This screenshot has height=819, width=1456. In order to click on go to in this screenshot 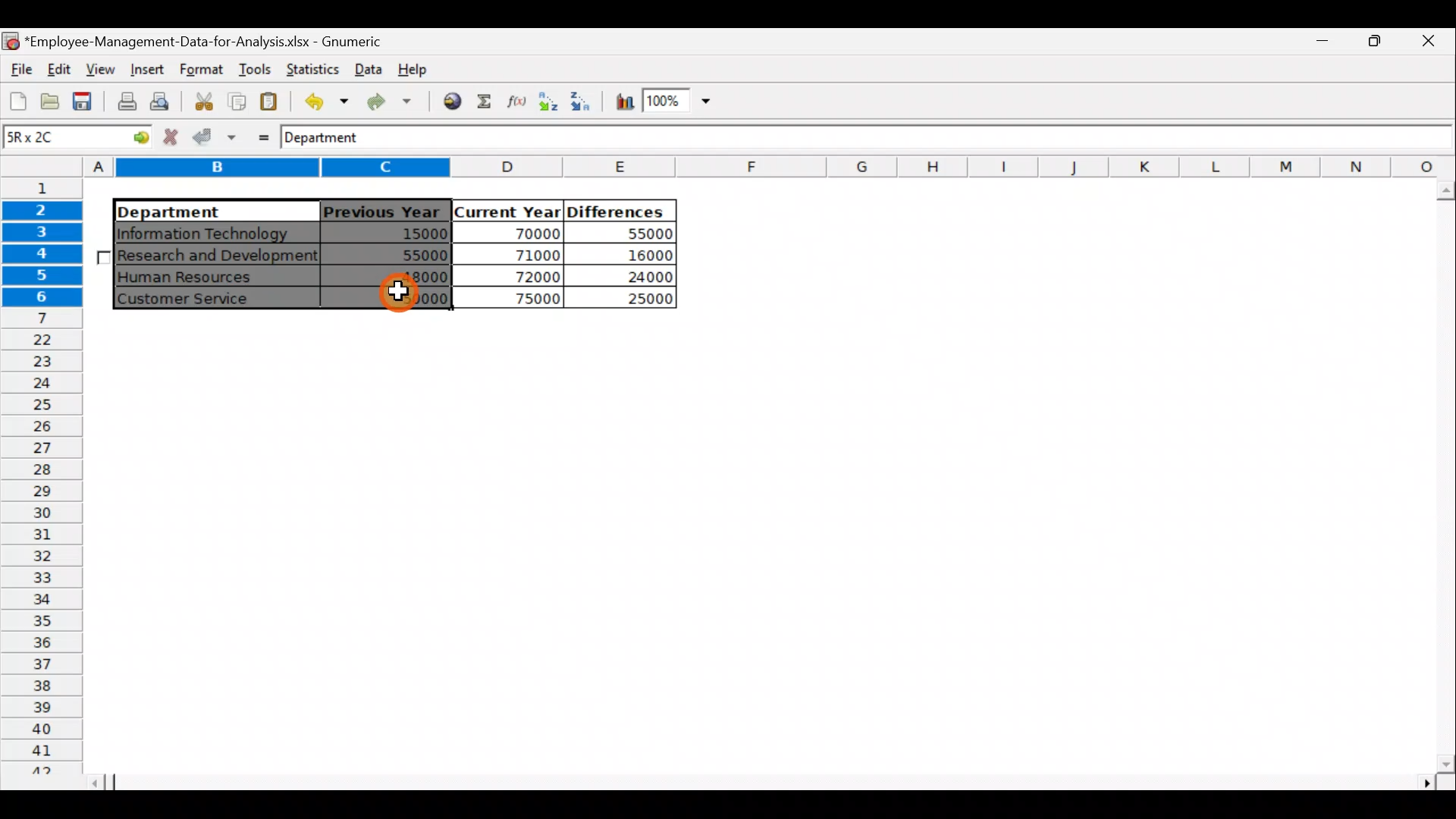, I will do `click(132, 139)`.